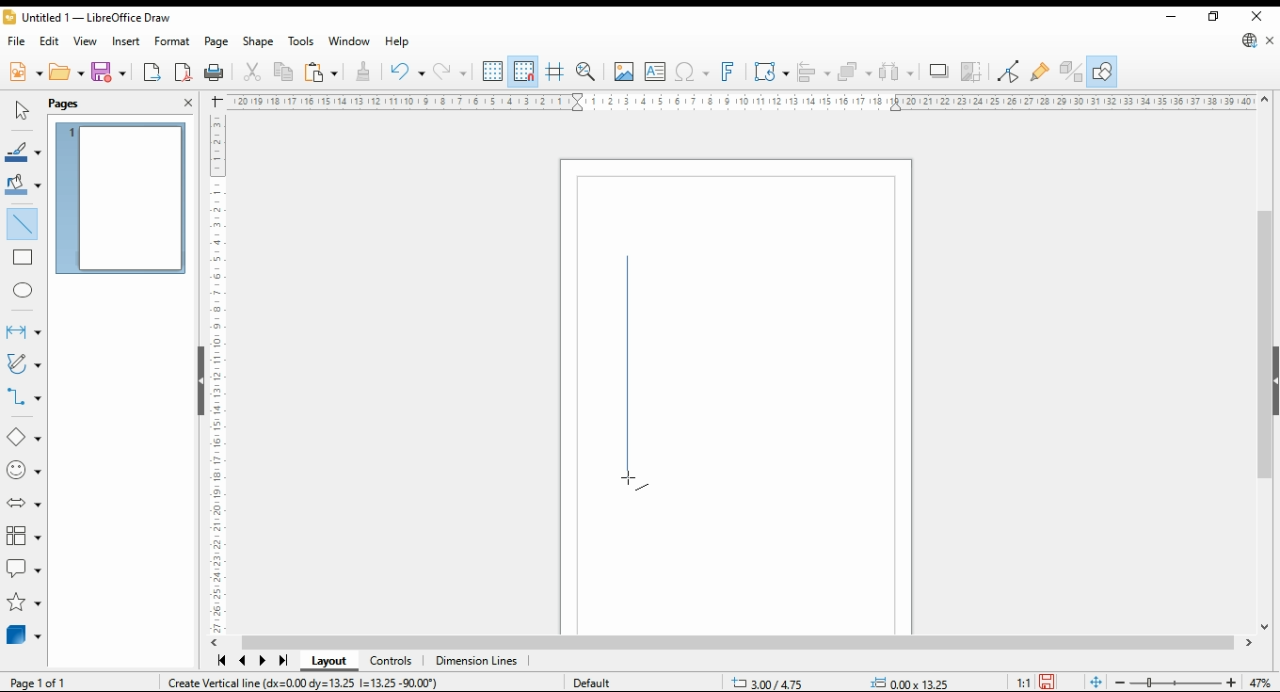  Describe the element at coordinates (556, 70) in the screenshot. I see `helplines for moving` at that location.